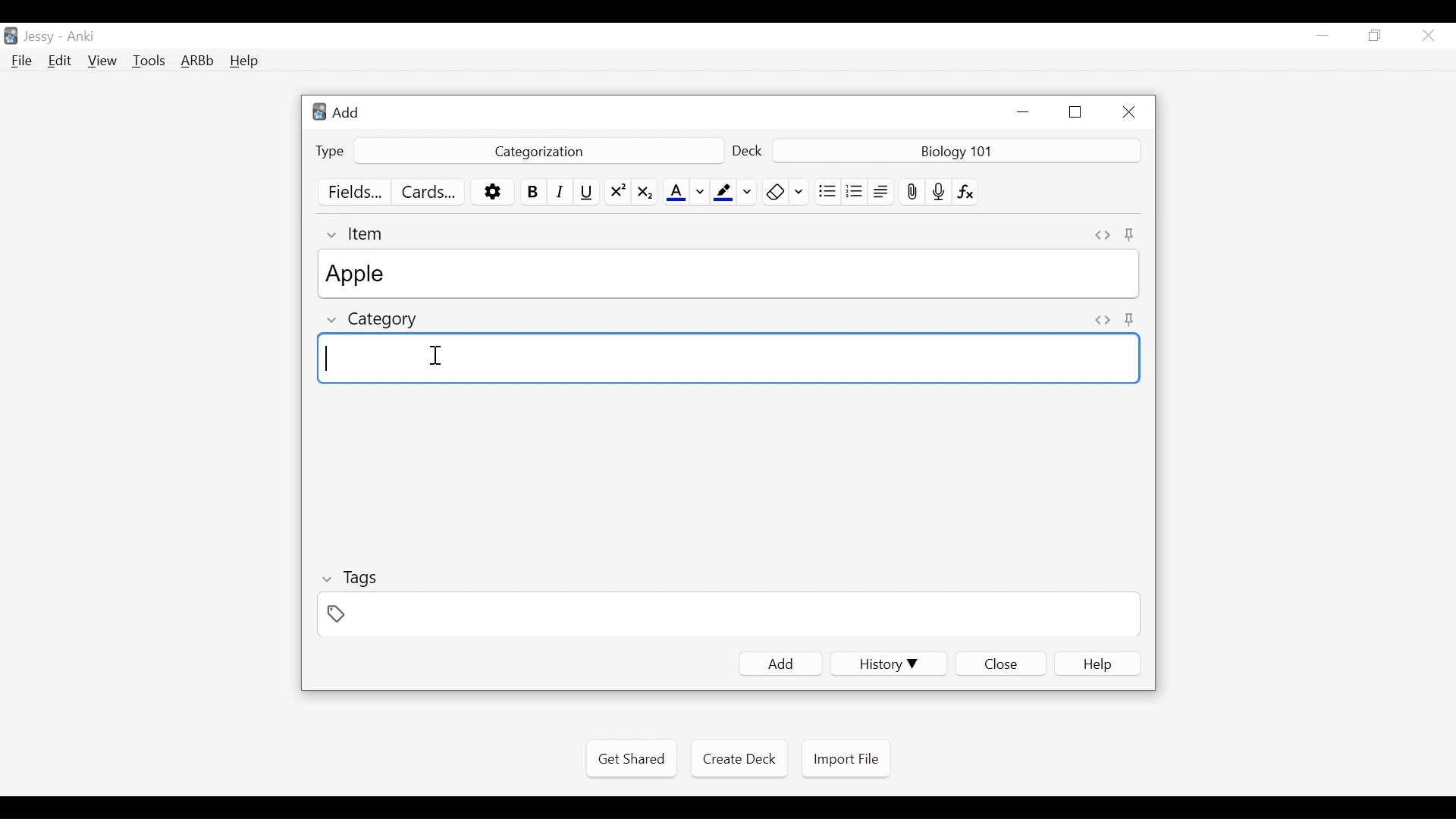 The height and width of the screenshot is (819, 1456). I want to click on Options, so click(492, 193).